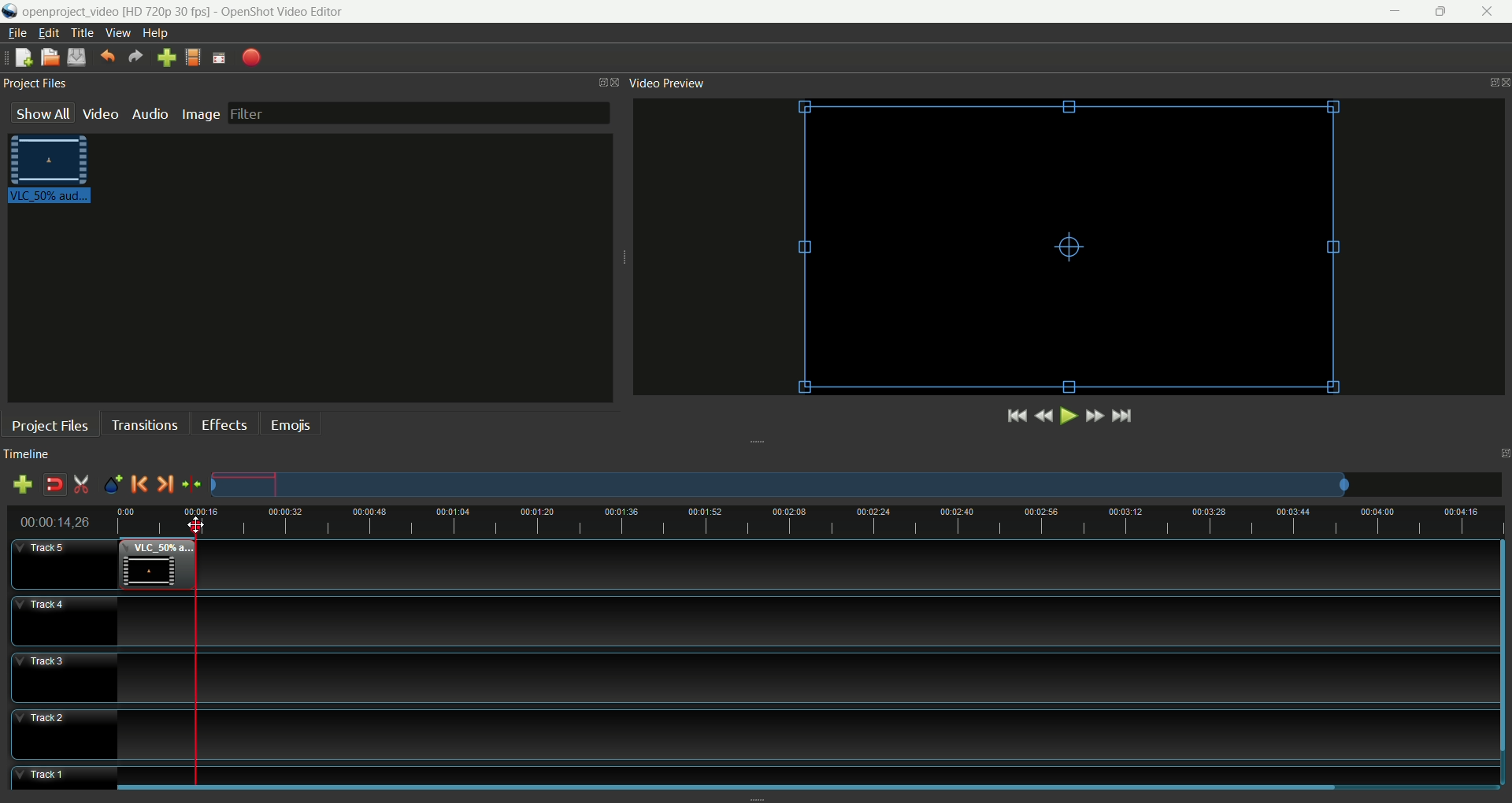 This screenshot has height=803, width=1512. I want to click on edit, so click(46, 33).